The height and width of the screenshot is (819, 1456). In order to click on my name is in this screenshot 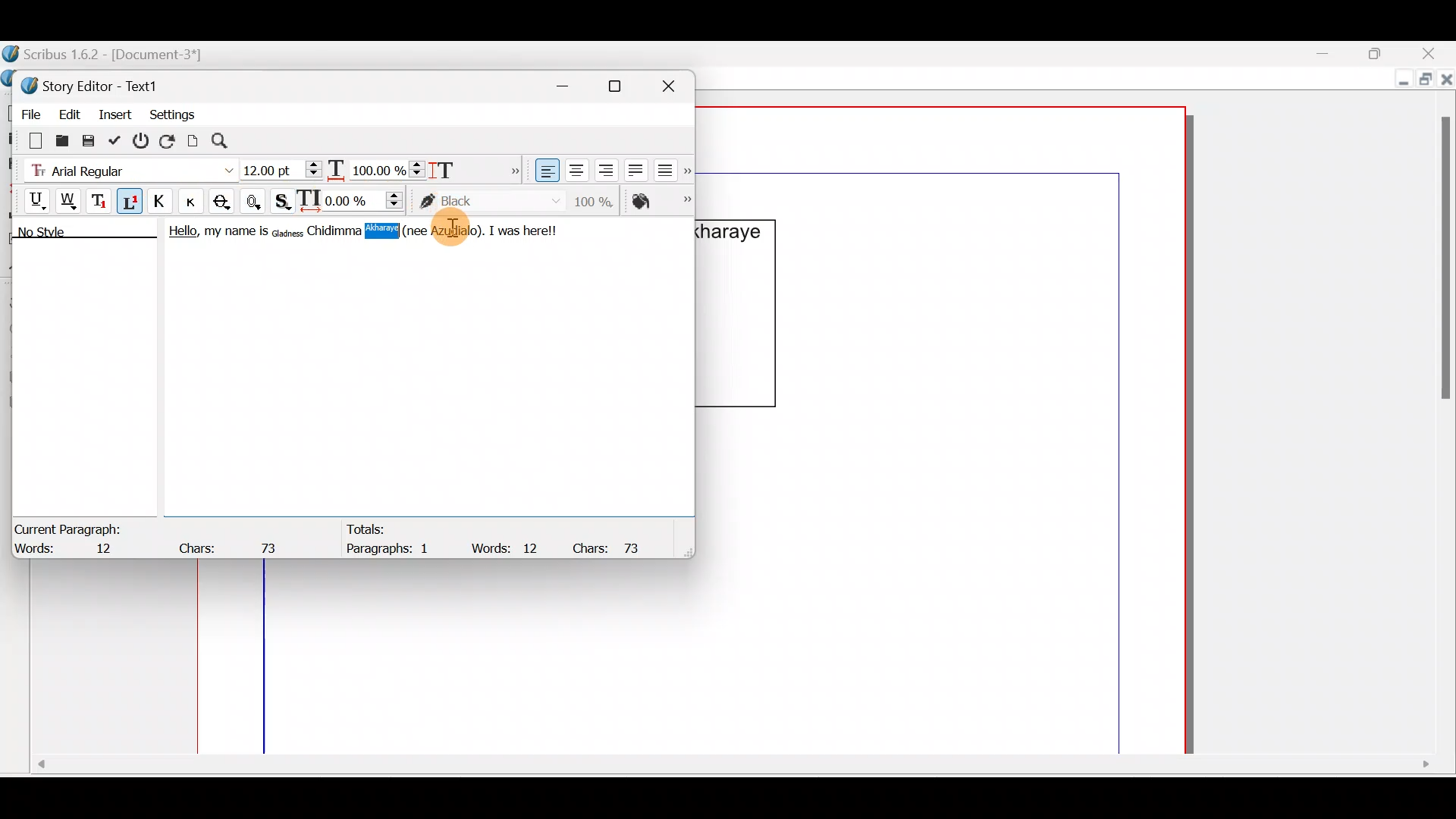, I will do `click(235, 234)`.